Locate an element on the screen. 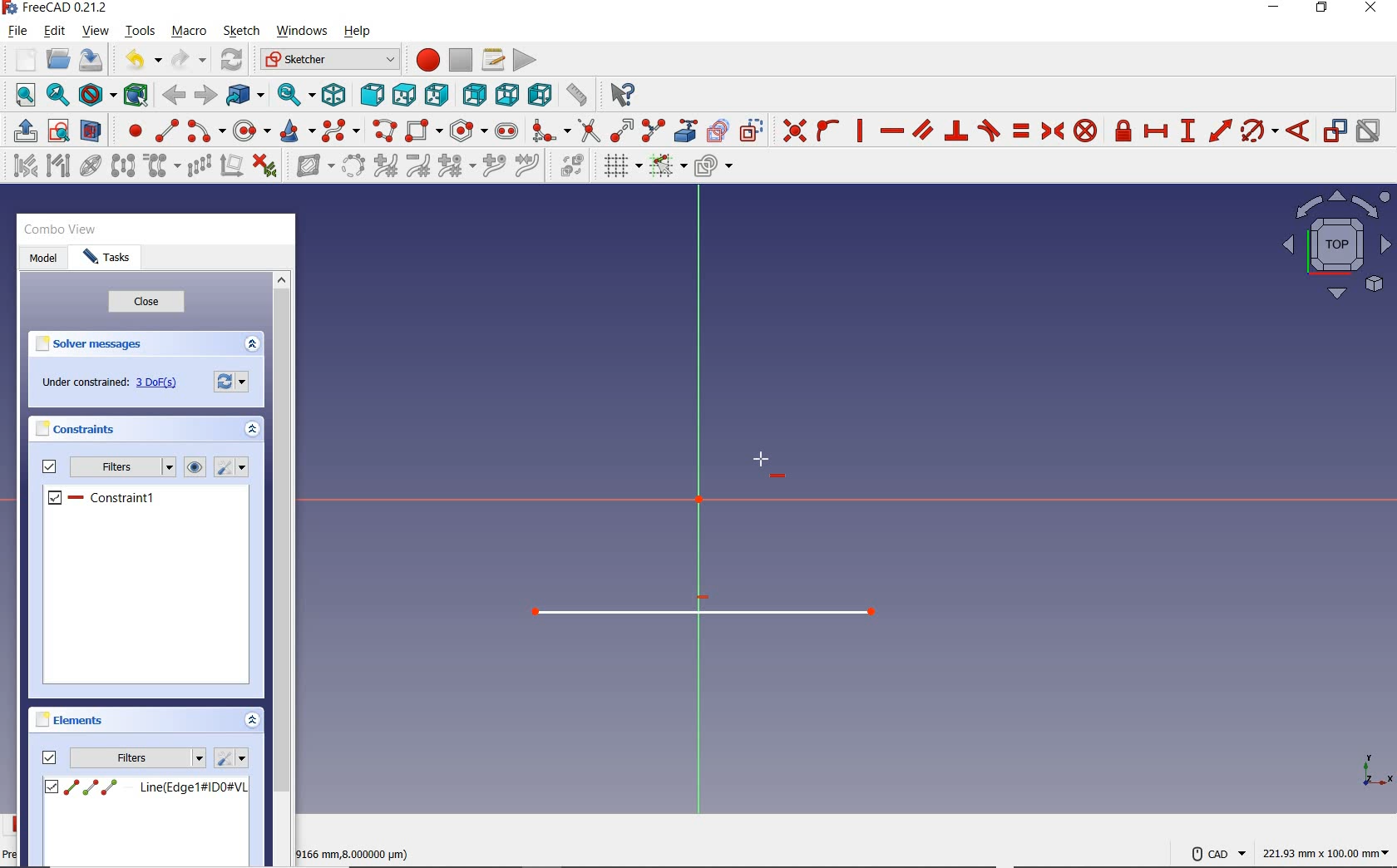 This screenshot has width=1397, height=868. DECREASE B-SPLINE DEGREE is located at coordinates (417, 165).